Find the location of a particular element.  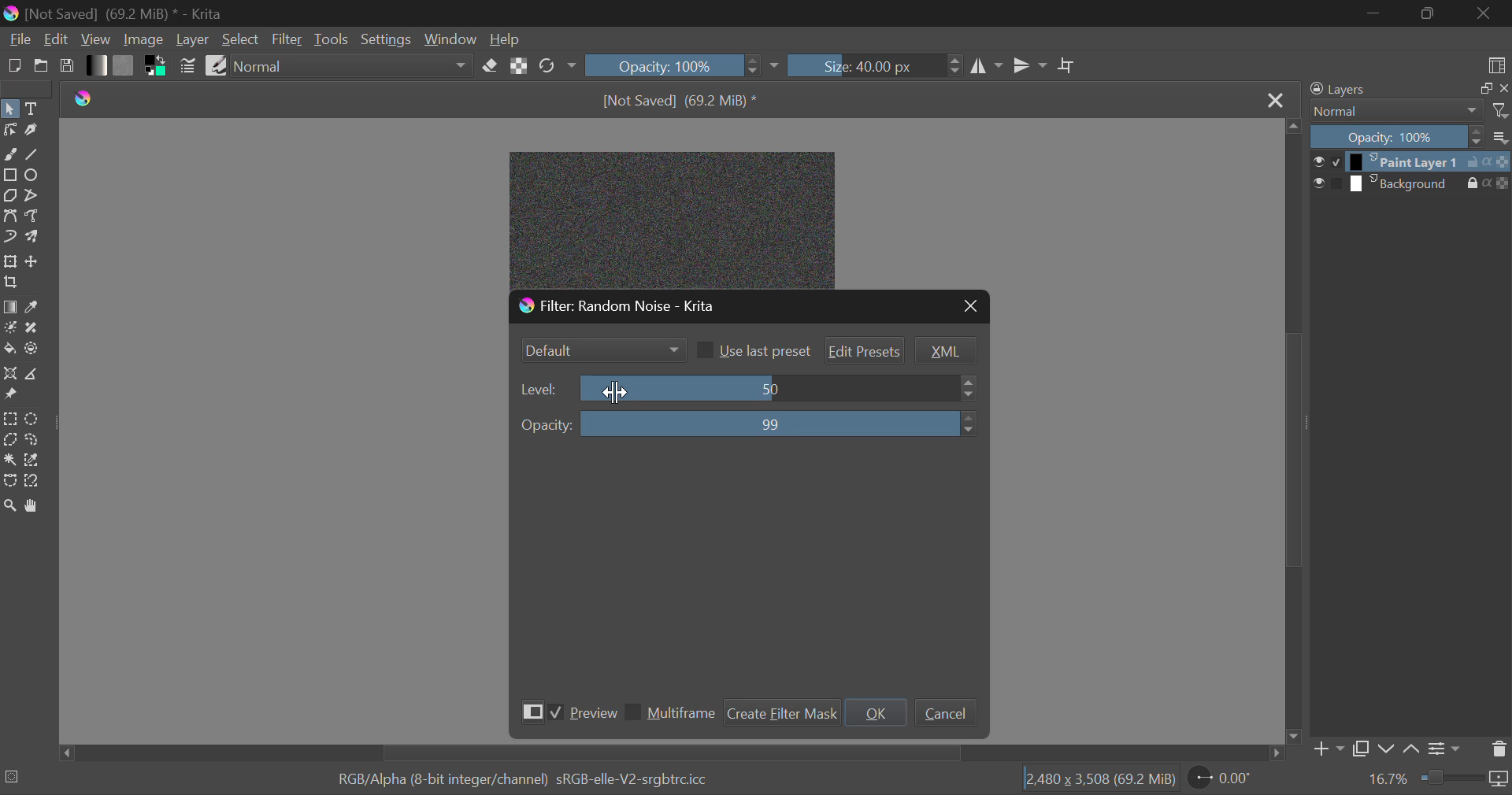

Edit is located at coordinates (57, 40).